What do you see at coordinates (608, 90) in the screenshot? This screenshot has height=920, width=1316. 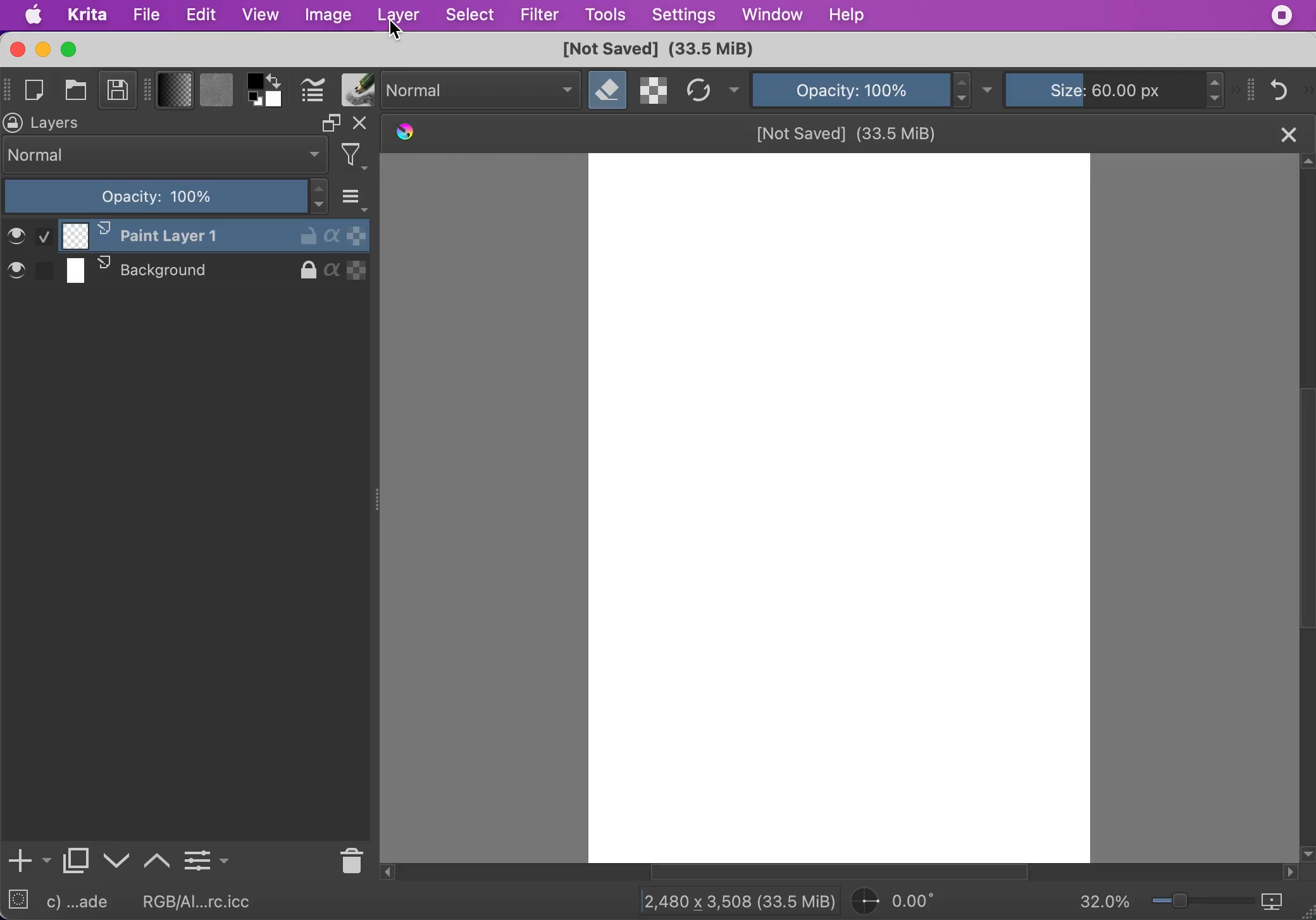 I see `set eraser mode` at bounding box center [608, 90].